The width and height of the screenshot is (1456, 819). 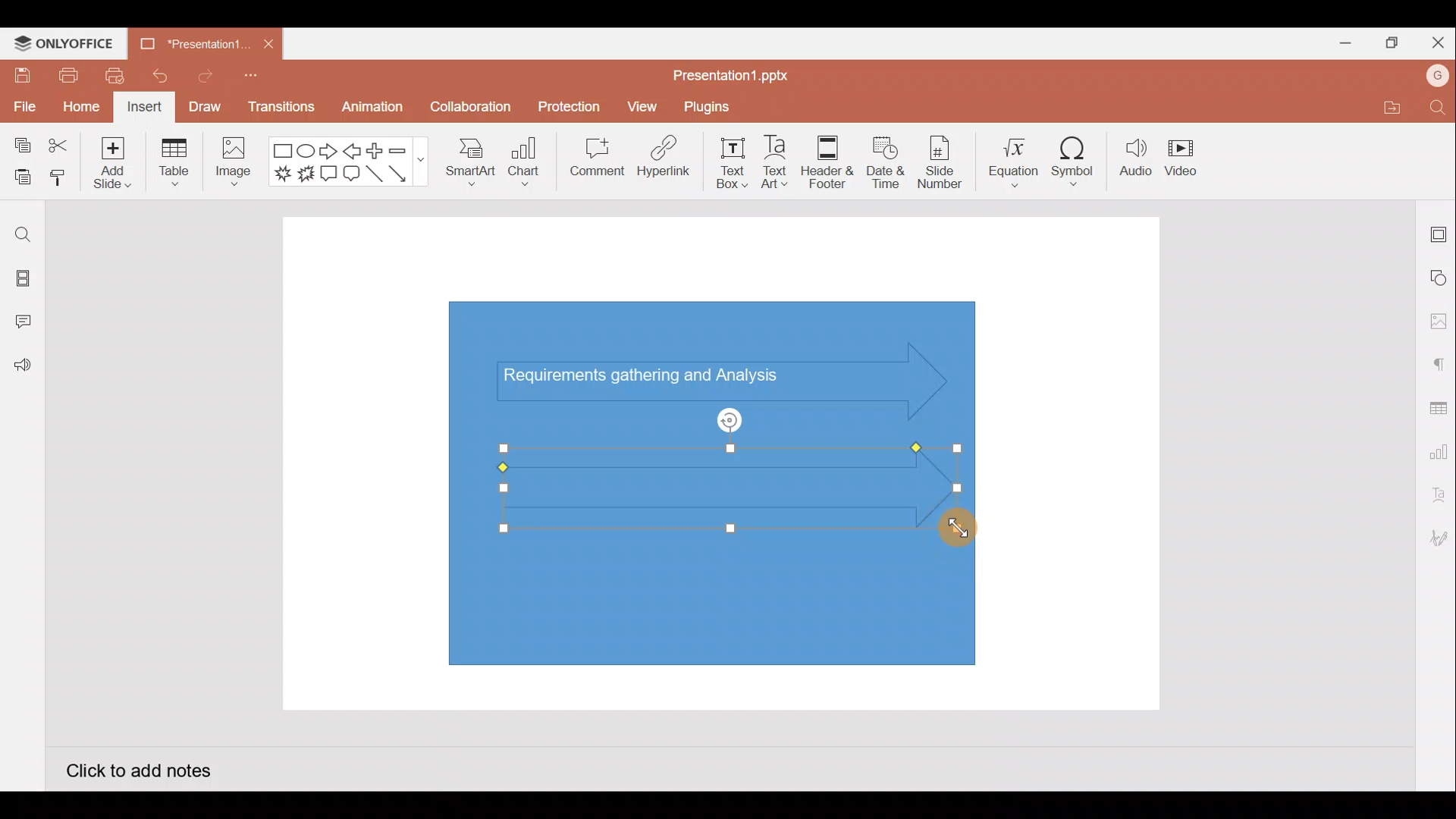 What do you see at coordinates (64, 43) in the screenshot?
I see `ONLYOFFICE` at bounding box center [64, 43].